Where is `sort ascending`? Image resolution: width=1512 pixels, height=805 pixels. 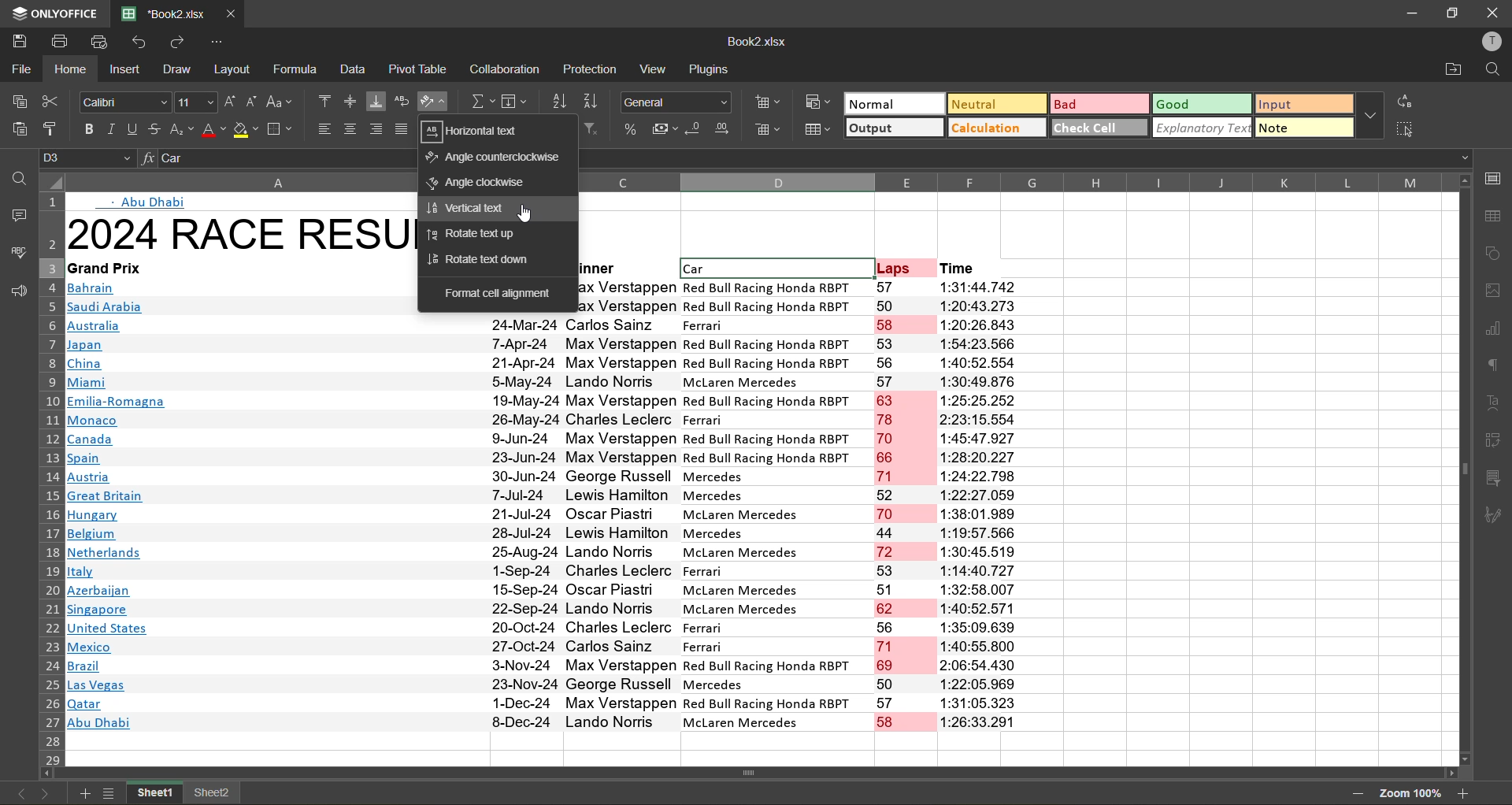
sort ascending is located at coordinates (561, 103).